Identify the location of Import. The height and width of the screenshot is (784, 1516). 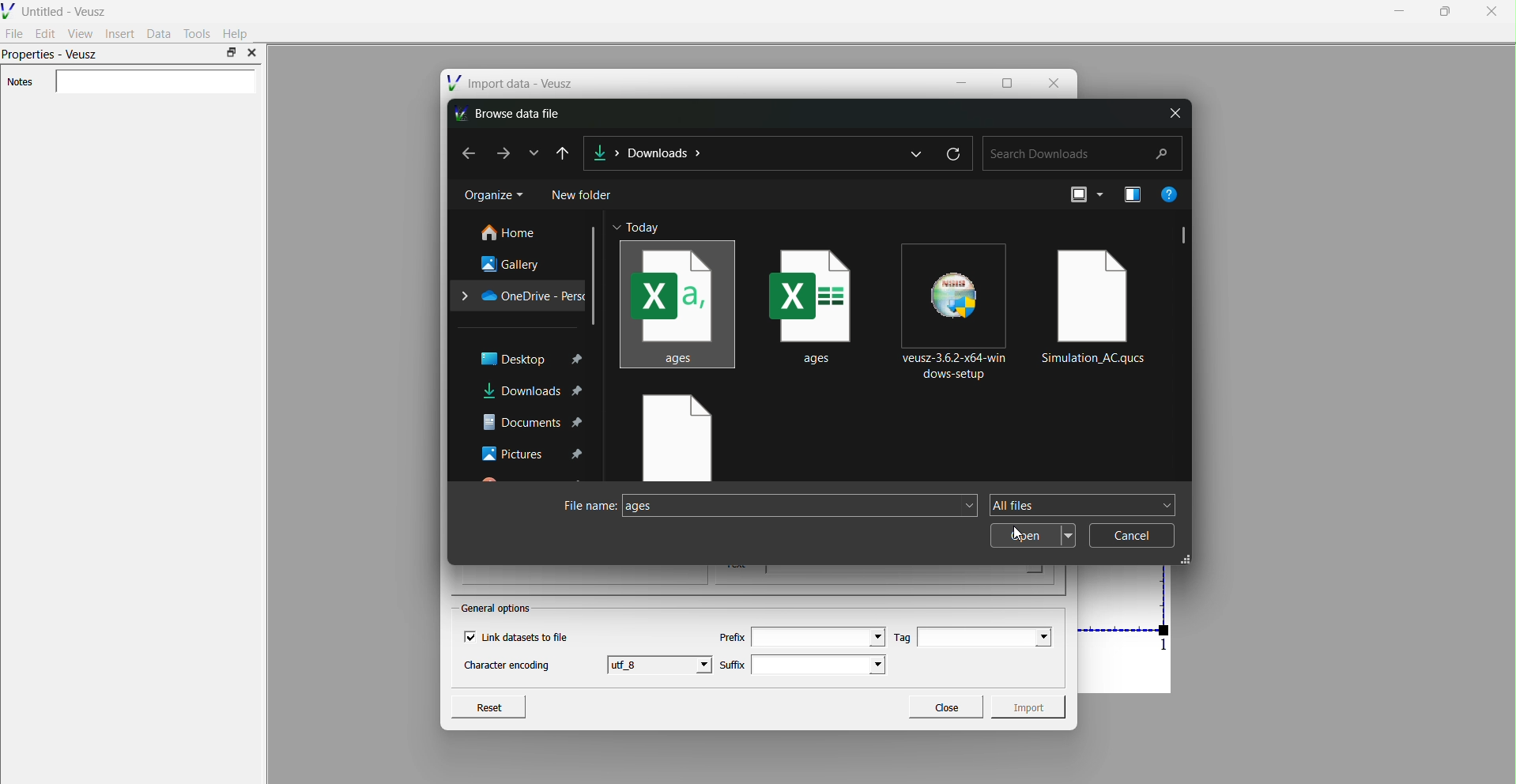
(1031, 707).